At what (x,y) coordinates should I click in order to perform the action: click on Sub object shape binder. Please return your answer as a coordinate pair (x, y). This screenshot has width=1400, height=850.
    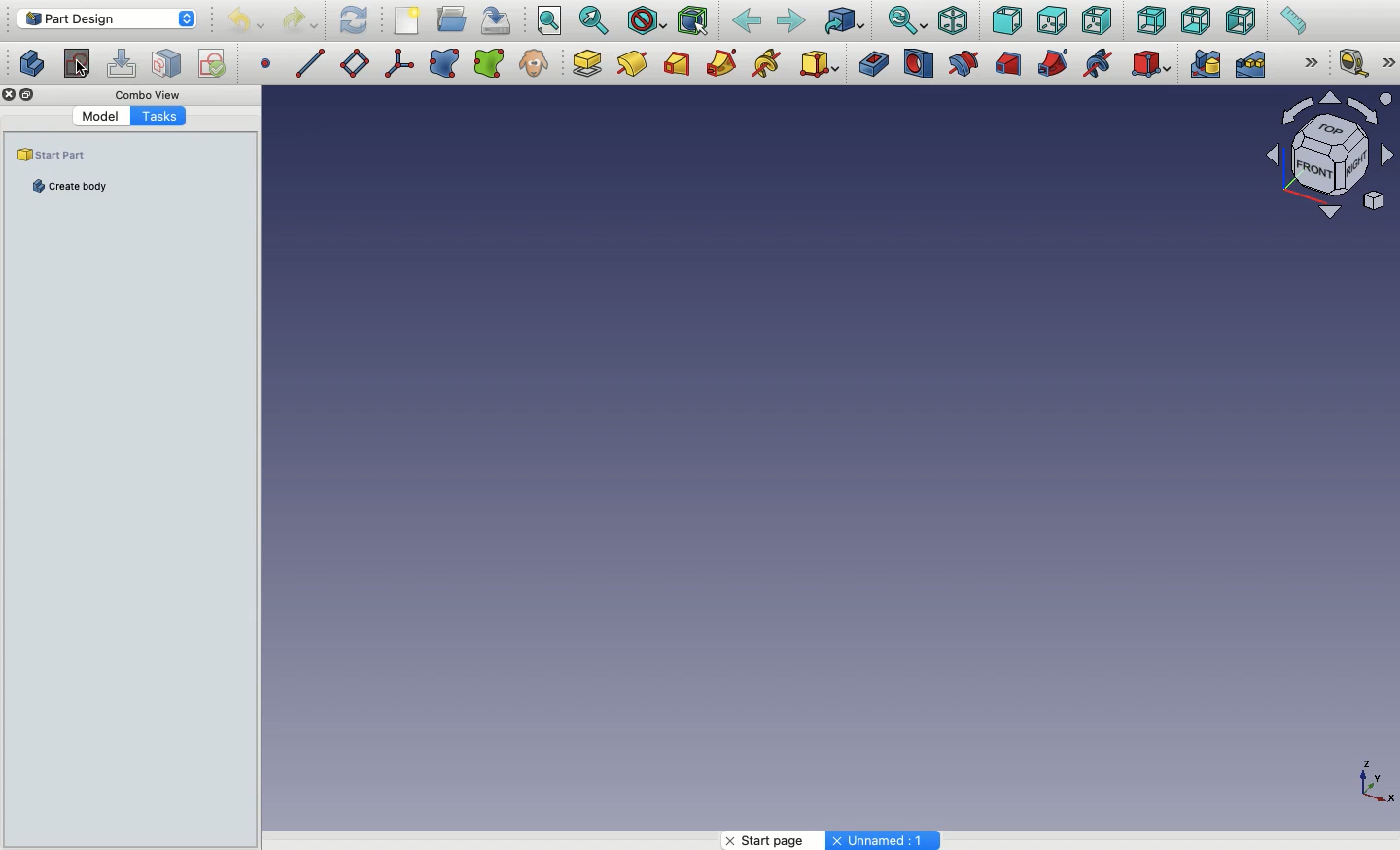
    Looking at the image, I should click on (489, 64).